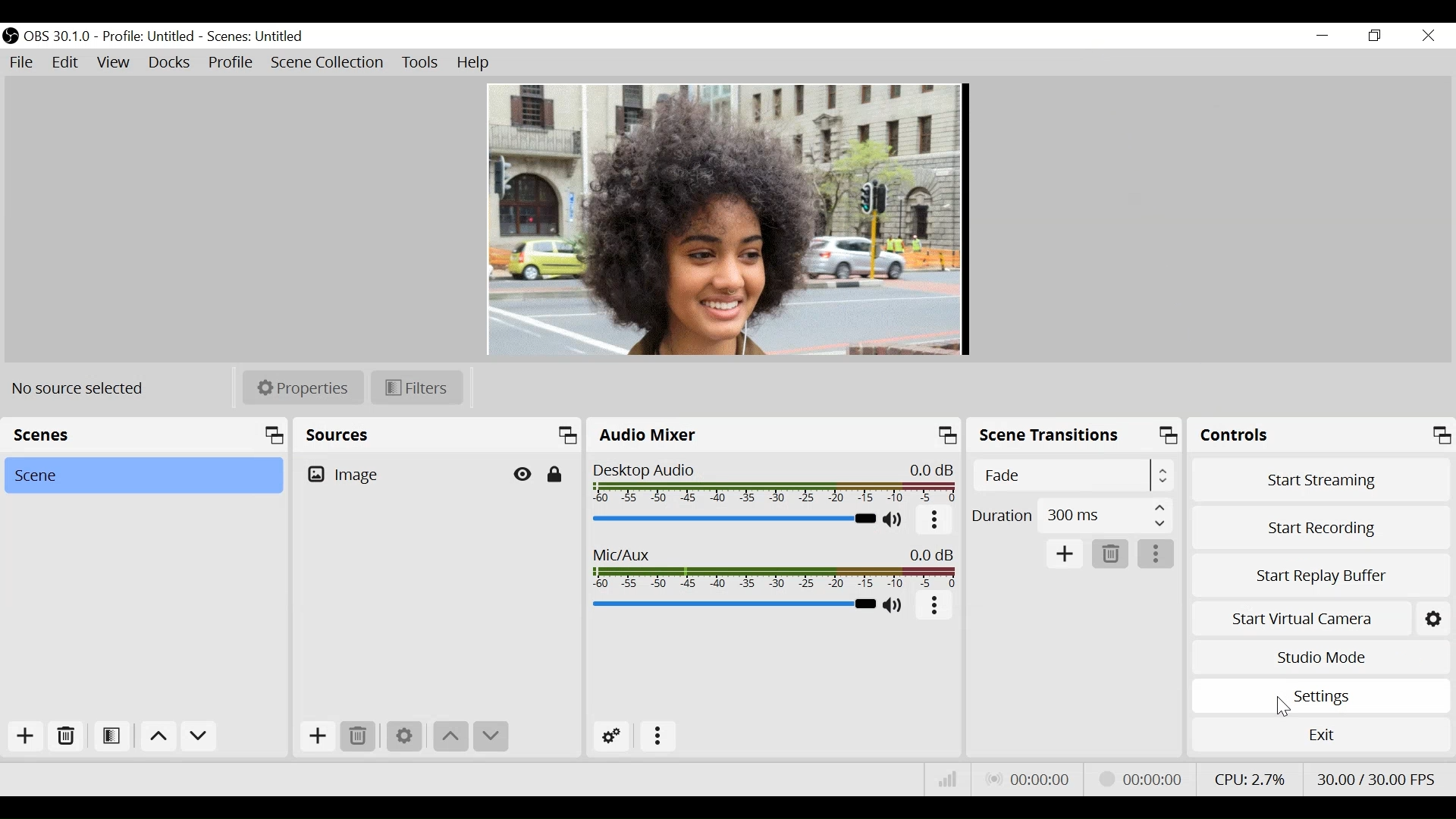 The width and height of the screenshot is (1456, 819). What do you see at coordinates (733, 604) in the screenshot?
I see `Mic/Aux Slider` at bounding box center [733, 604].